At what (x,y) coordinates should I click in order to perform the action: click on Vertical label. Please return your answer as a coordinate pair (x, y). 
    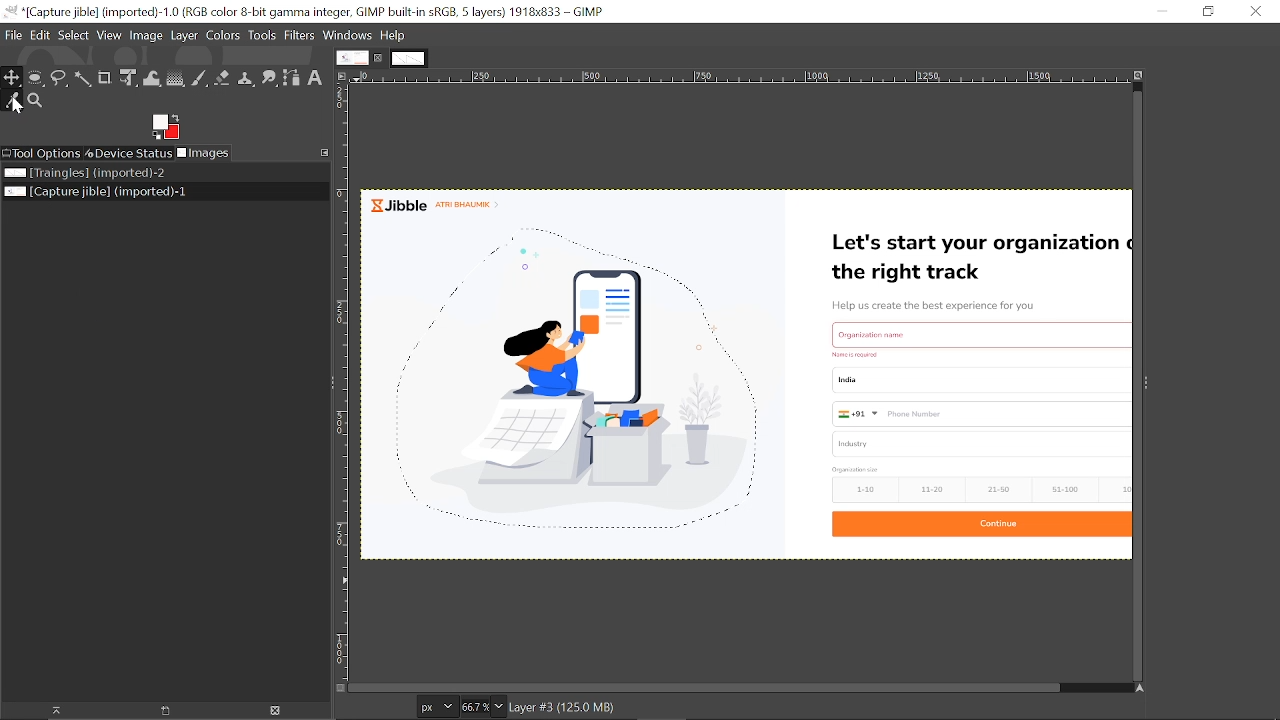
    Looking at the image, I should click on (342, 384).